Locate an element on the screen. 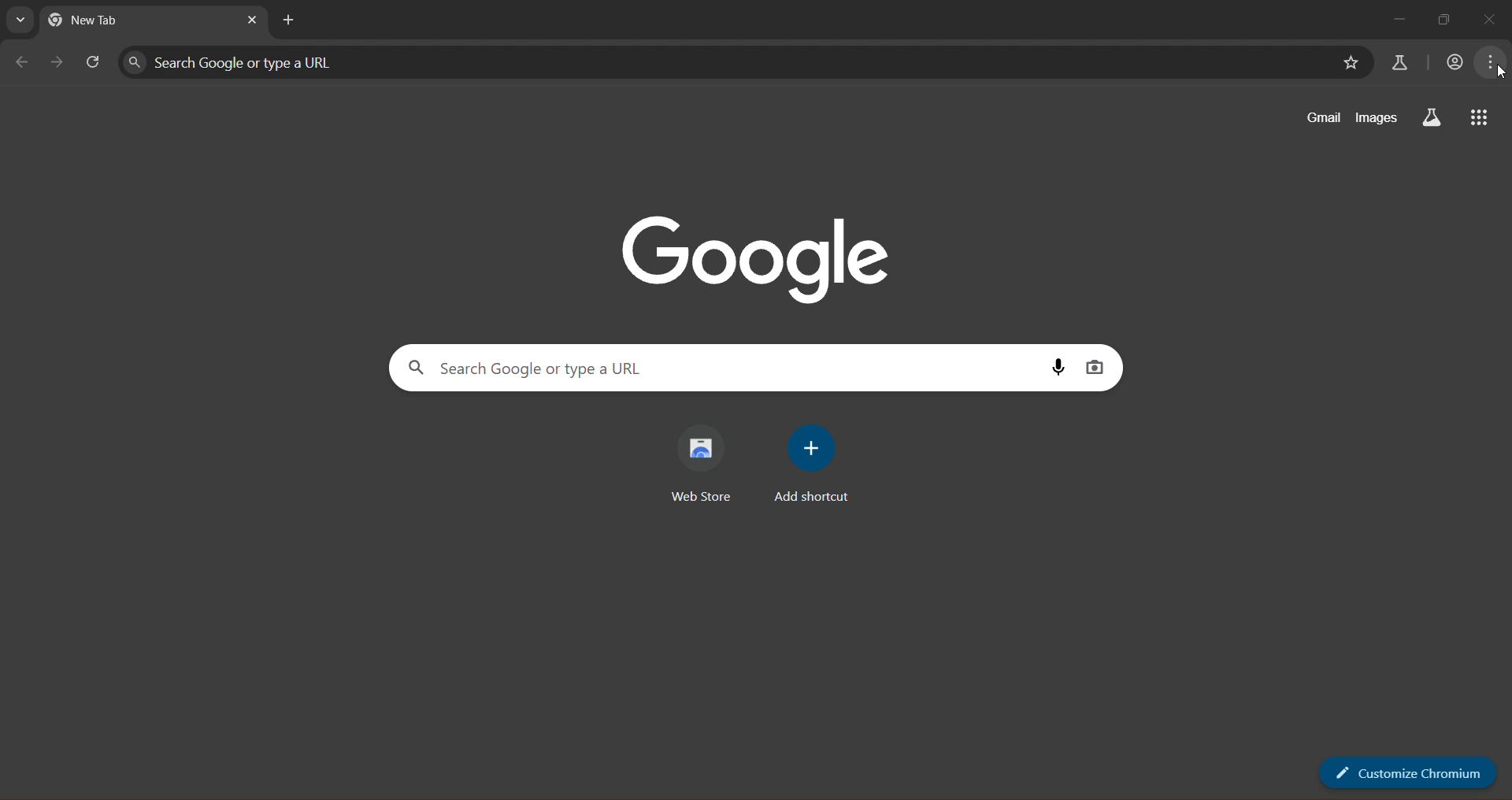  images is located at coordinates (1376, 117).